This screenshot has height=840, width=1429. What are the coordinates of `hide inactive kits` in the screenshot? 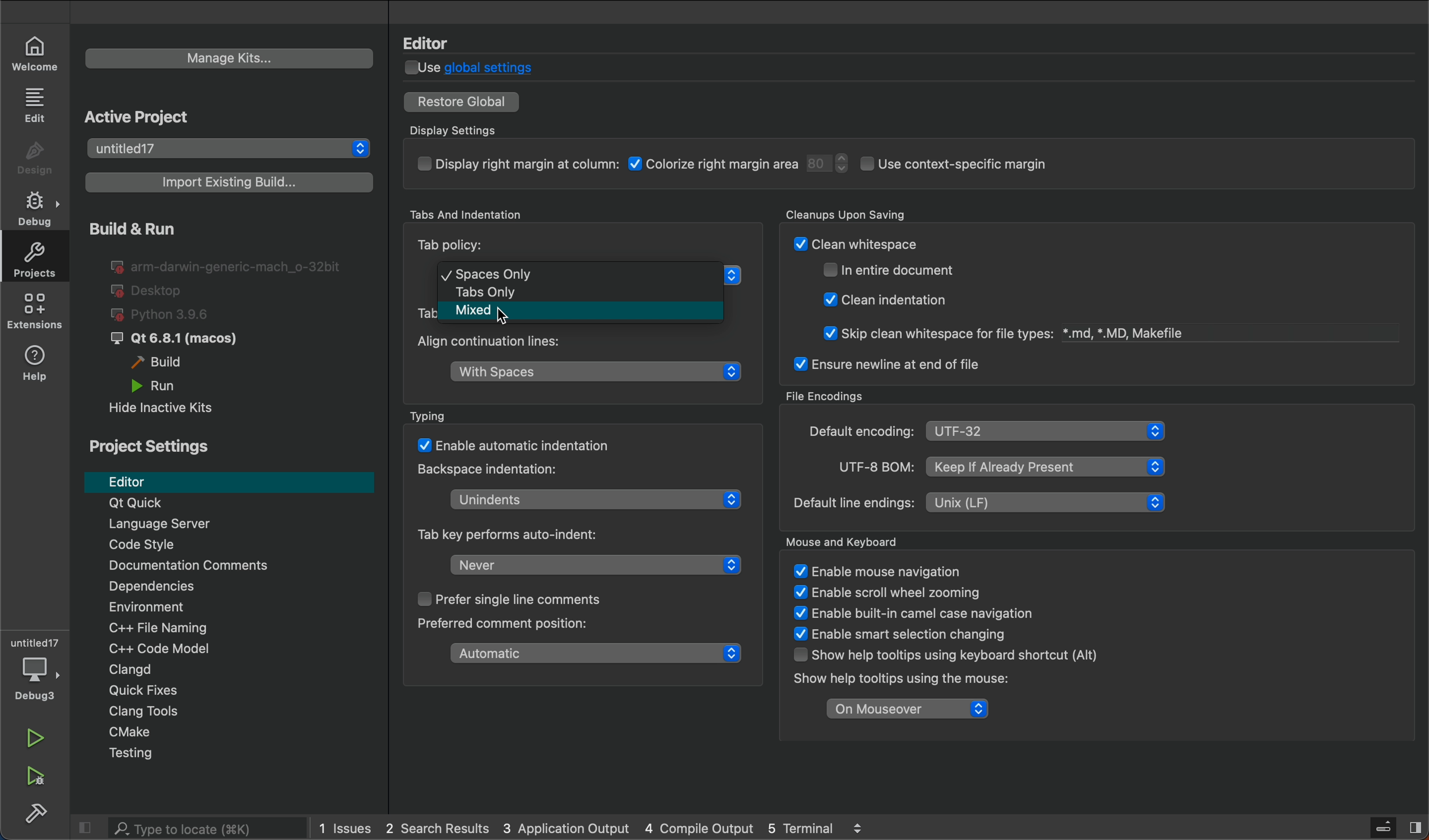 It's located at (164, 409).